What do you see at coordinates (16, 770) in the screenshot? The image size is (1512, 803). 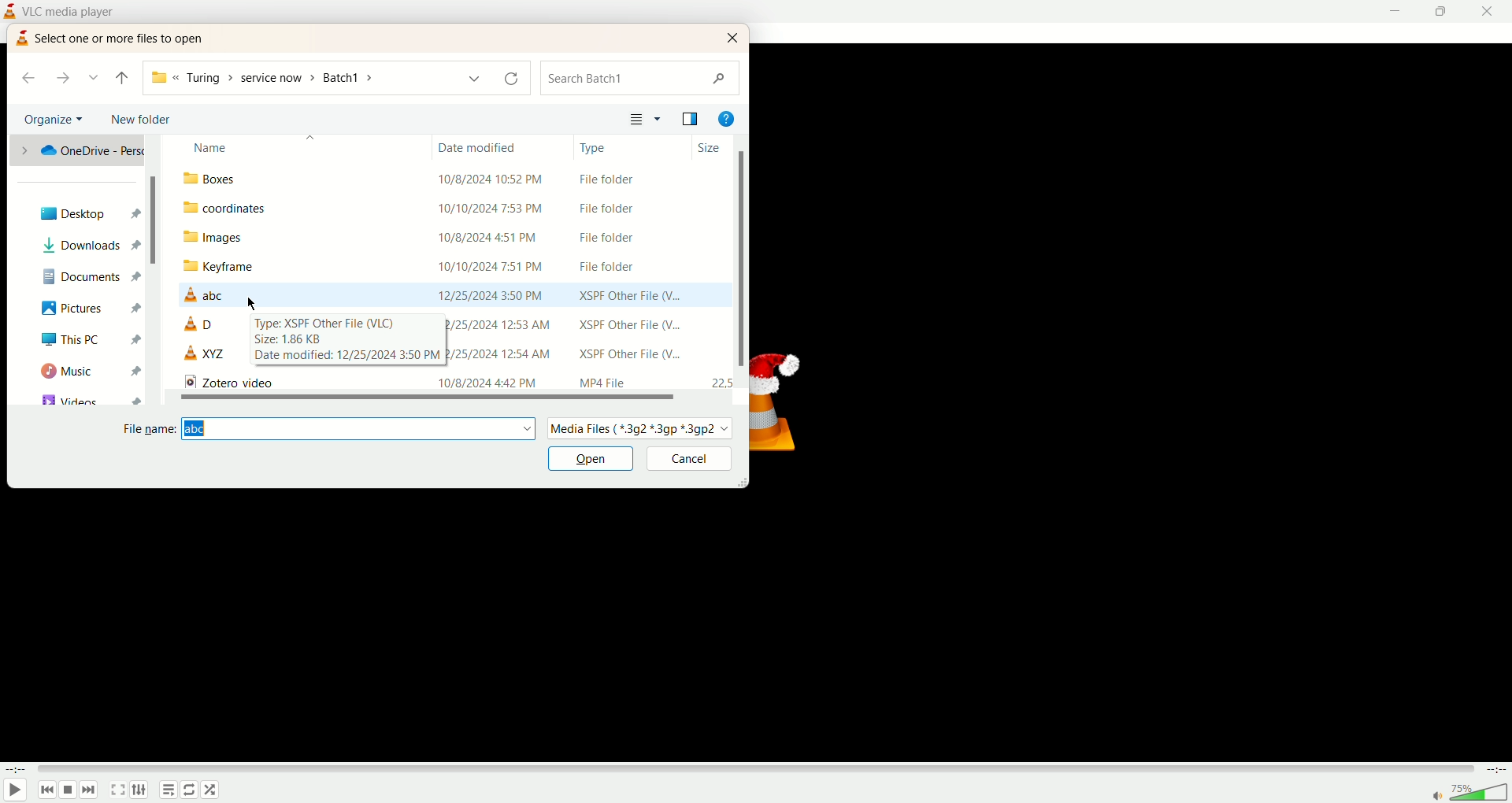 I see `time` at bounding box center [16, 770].